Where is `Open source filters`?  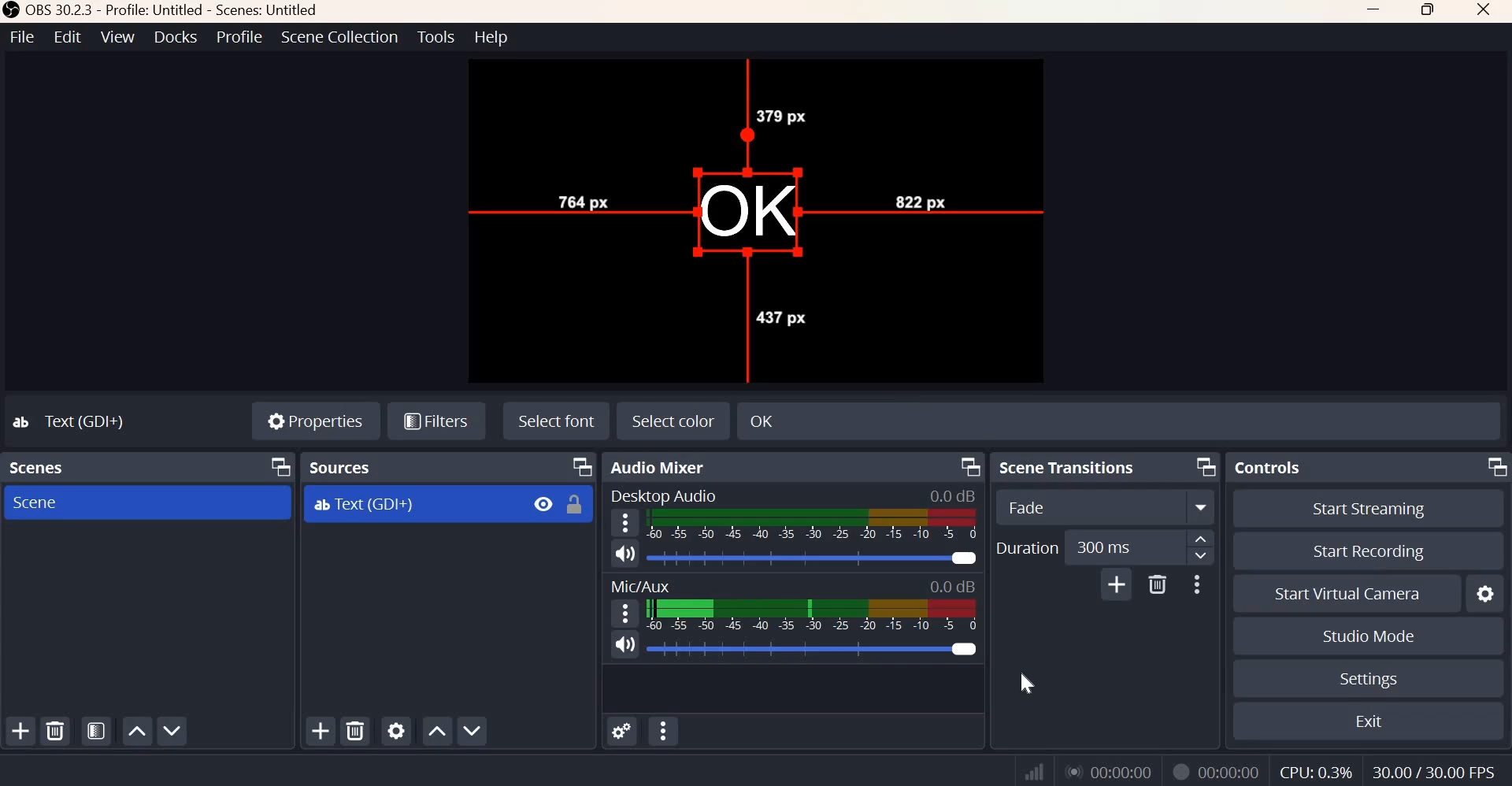 Open source filters is located at coordinates (435, 422).